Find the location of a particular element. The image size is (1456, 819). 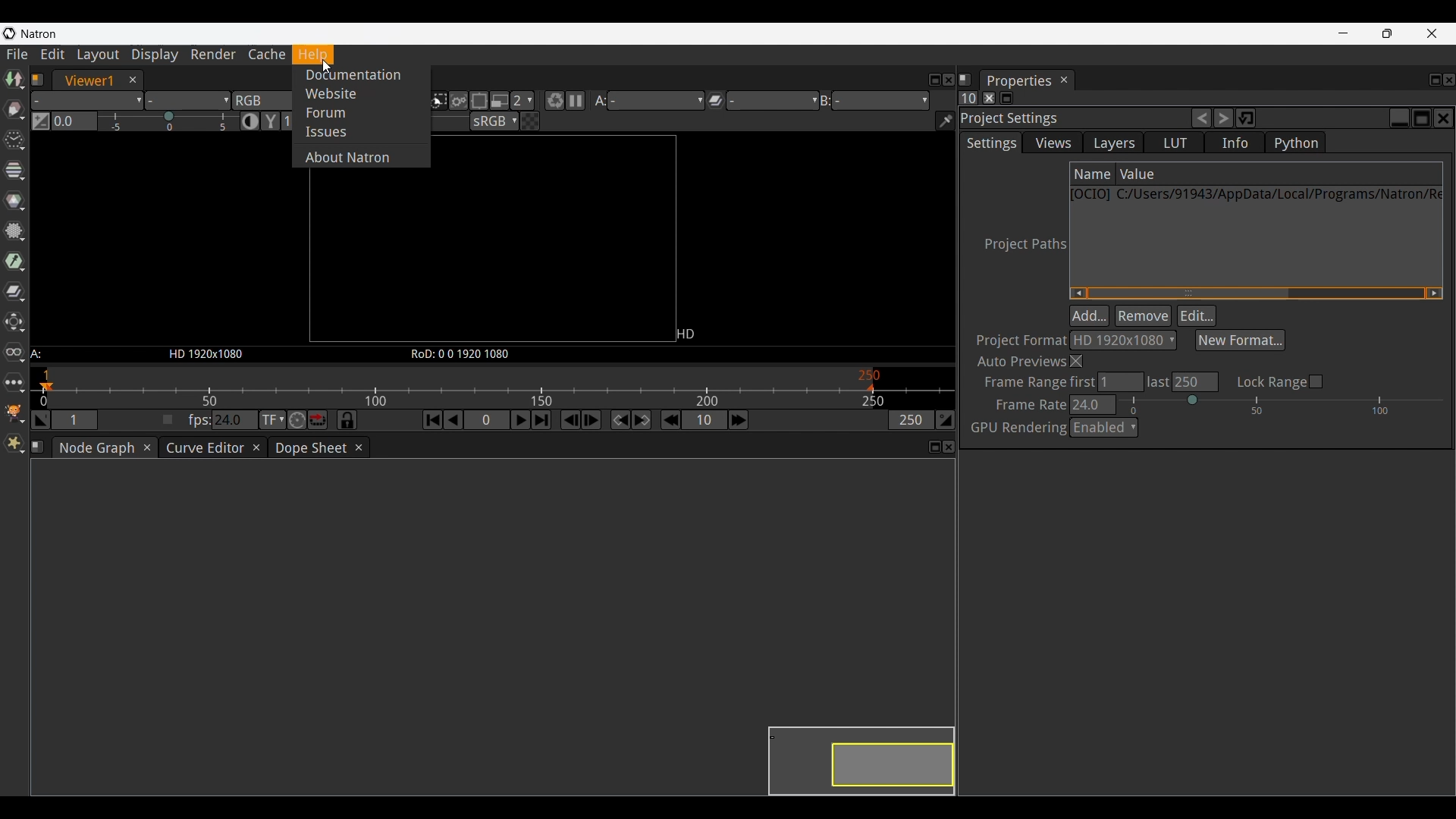

Set the playback out point at the current frame is located at coordinates (945, 419).